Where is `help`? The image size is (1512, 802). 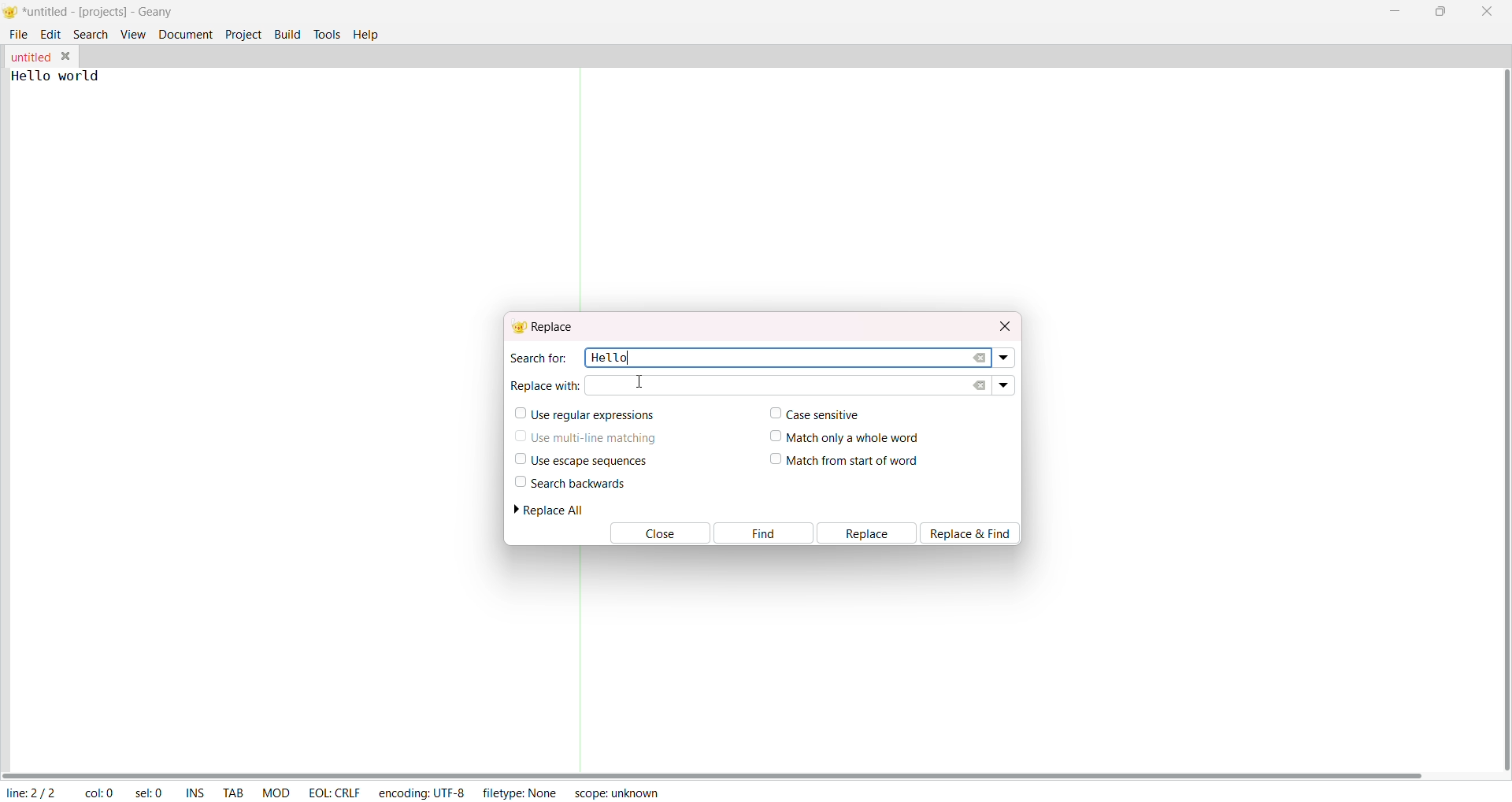
help is located at coordinates (370, 33).